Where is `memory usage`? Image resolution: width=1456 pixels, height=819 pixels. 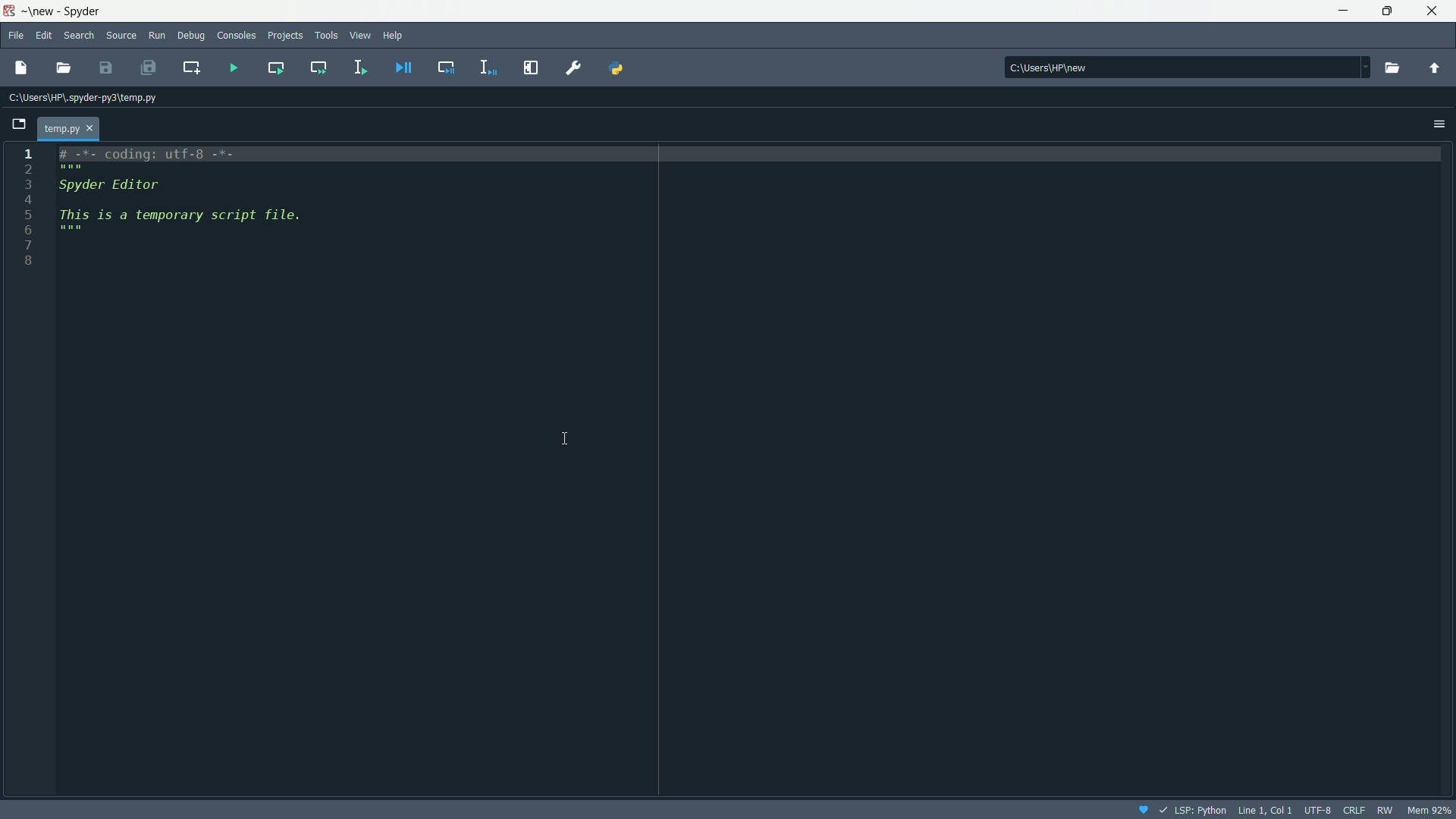 memory usage is located at coordinates (1431, 810).